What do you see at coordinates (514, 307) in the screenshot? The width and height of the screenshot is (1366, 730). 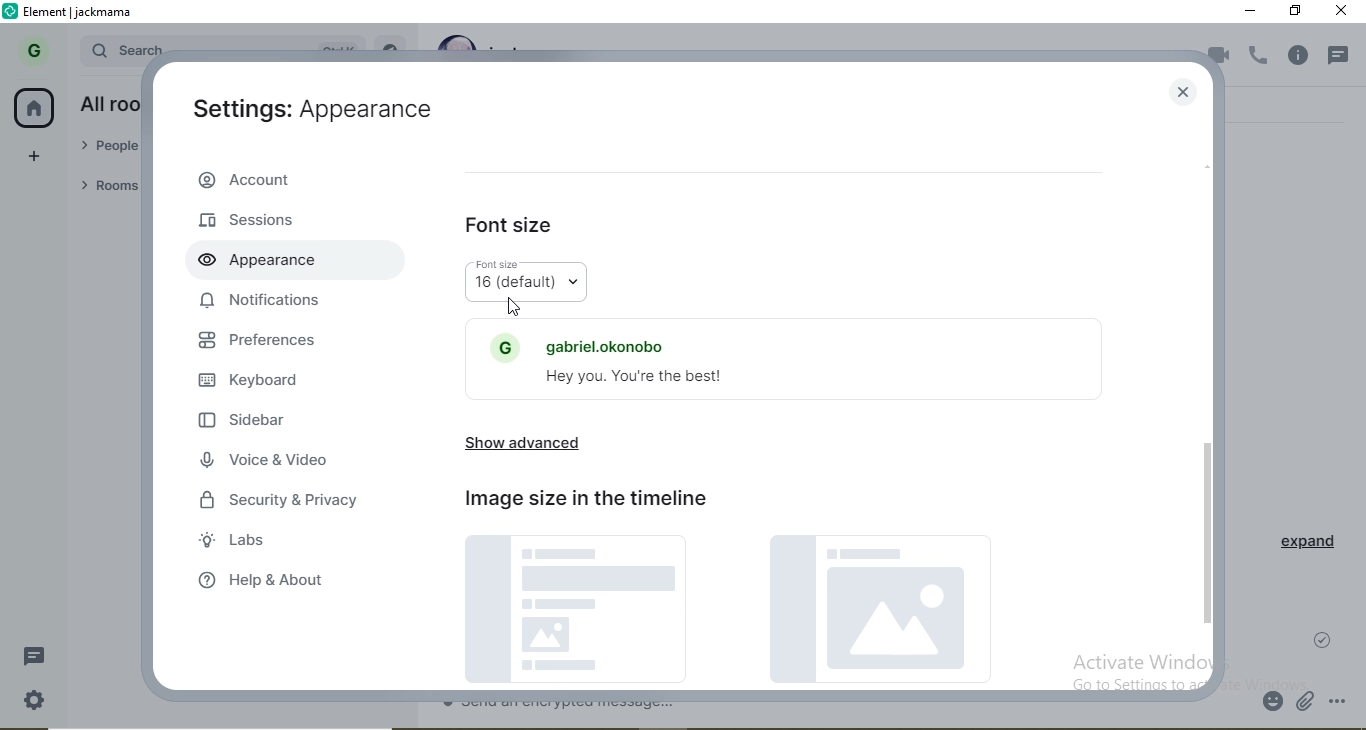 I see `cursor` at bounding box center [514, 307].